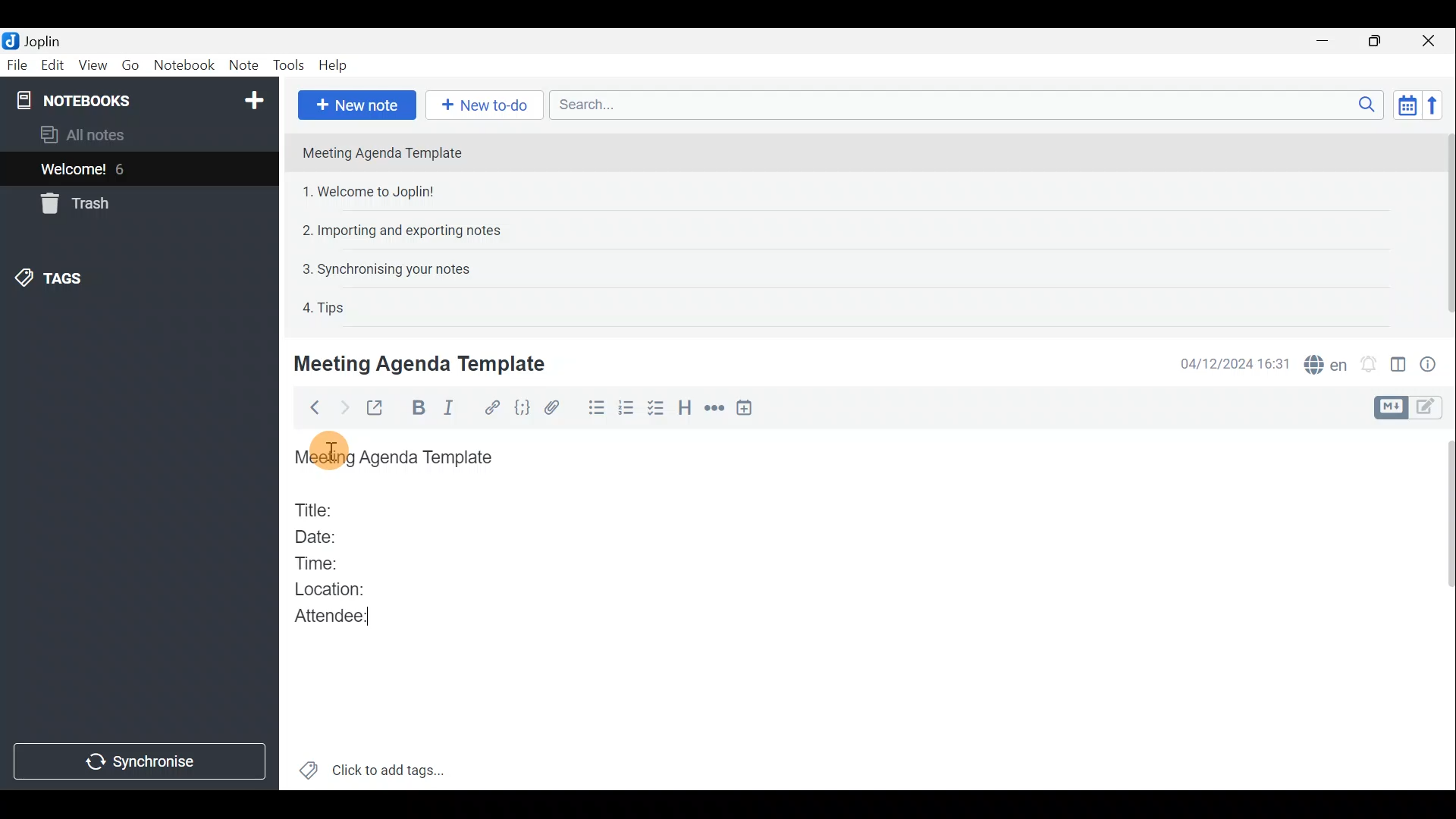 The image size is (1456, 819). I want to click on Heading, so click(684, 412).